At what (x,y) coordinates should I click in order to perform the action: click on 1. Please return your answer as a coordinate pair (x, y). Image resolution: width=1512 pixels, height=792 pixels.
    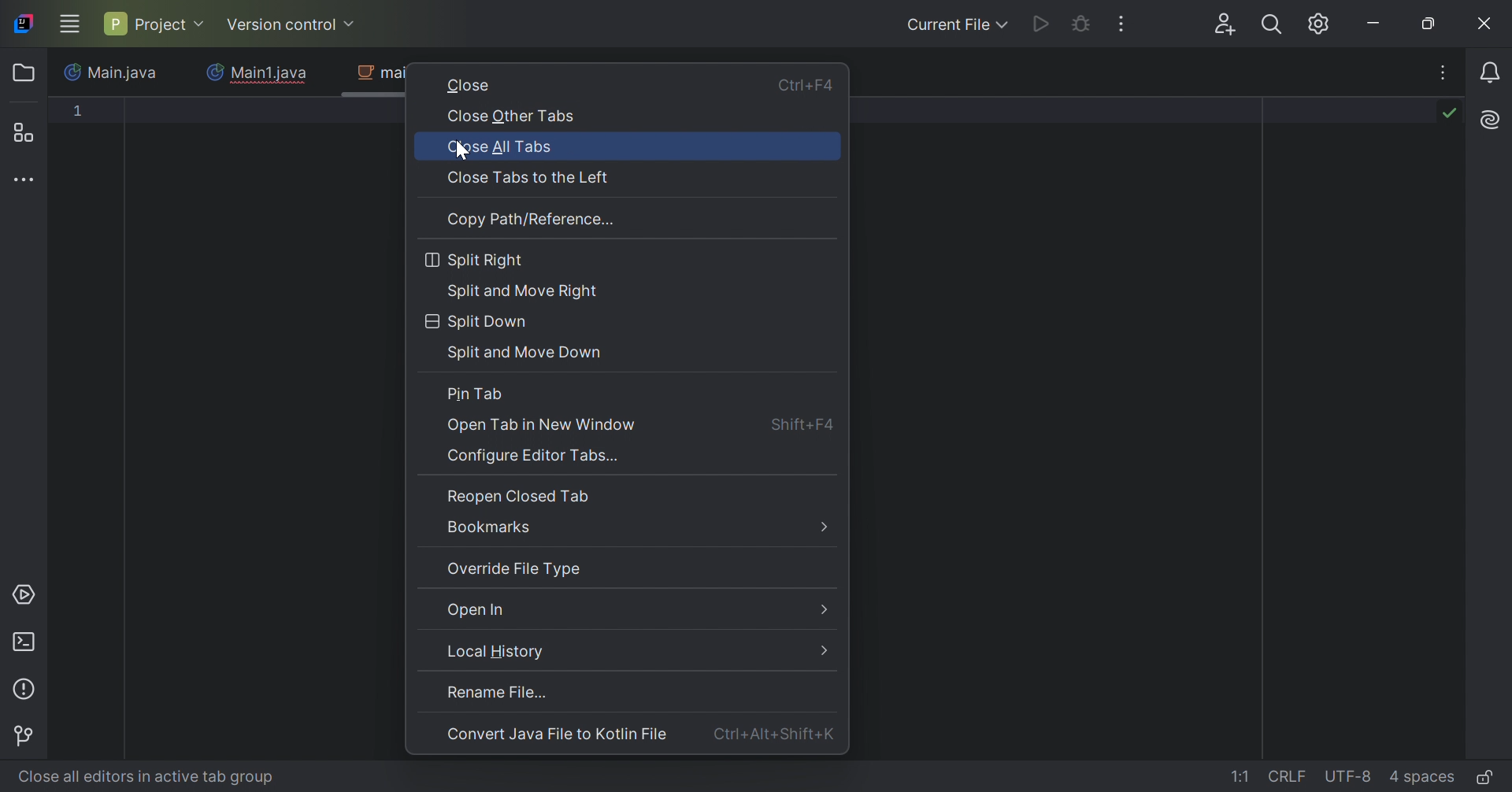
    Looking at the image, I should click on (80, 110).